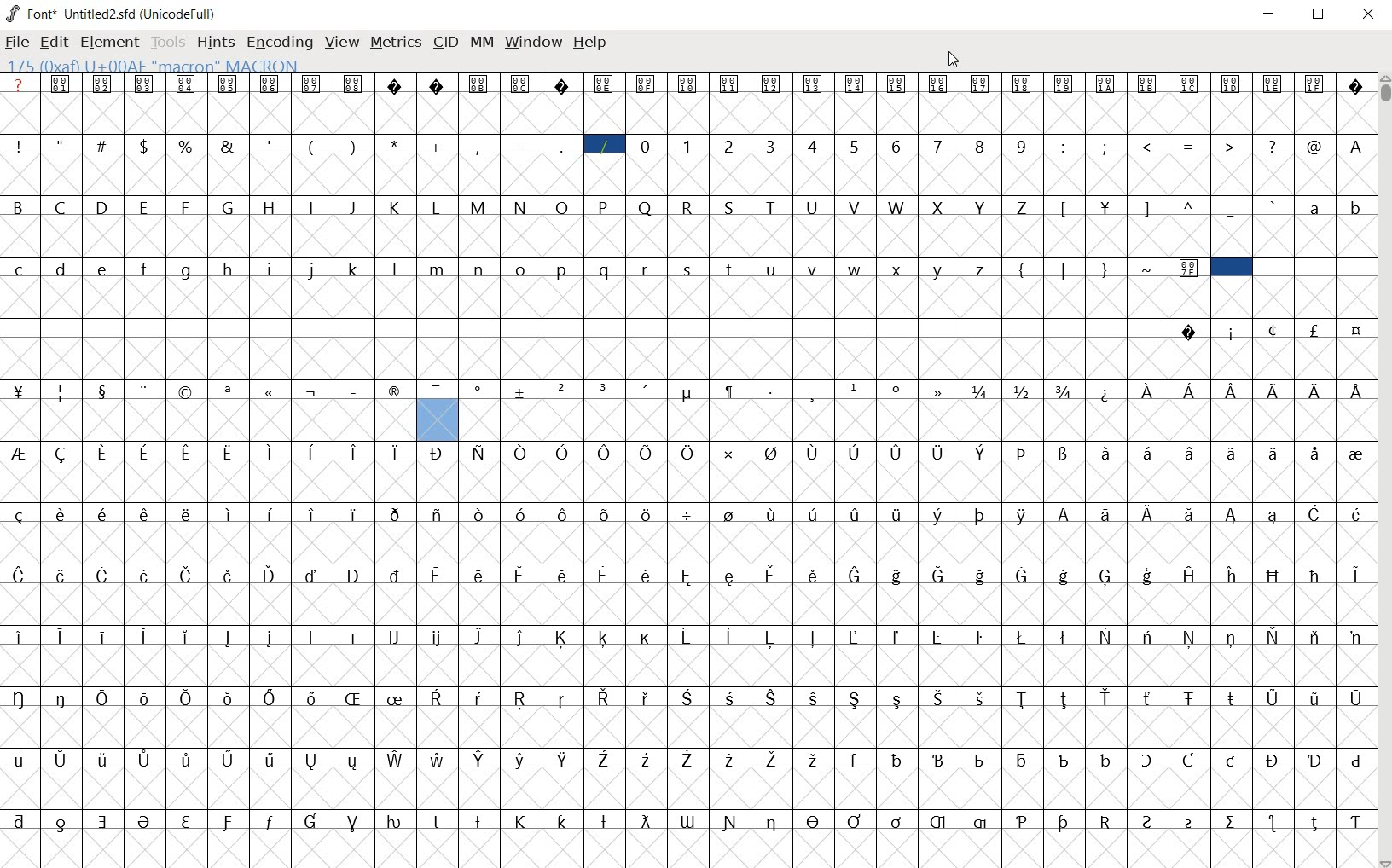 Image resolution: width=1392 pixels, height=868 pixels. What do you see at coordinates (20, 819) in the screenshot?
I see `Symbol` at bounding box center [20, 819].